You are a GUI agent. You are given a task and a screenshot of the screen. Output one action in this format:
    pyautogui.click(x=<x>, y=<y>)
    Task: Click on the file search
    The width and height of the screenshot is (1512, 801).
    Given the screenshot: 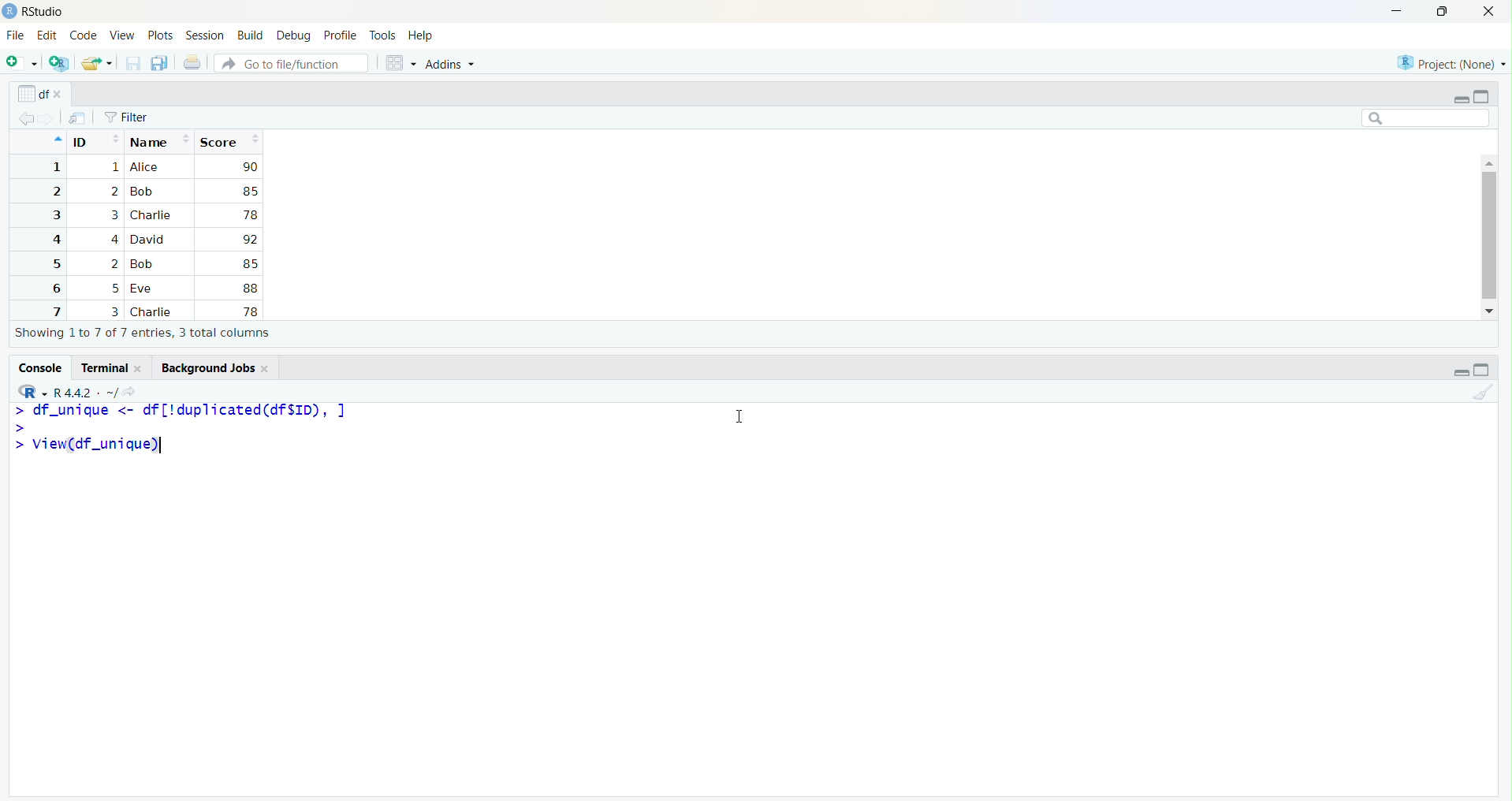 What is the action you would take?
    pyautogui.click(x=293, y=62)
    